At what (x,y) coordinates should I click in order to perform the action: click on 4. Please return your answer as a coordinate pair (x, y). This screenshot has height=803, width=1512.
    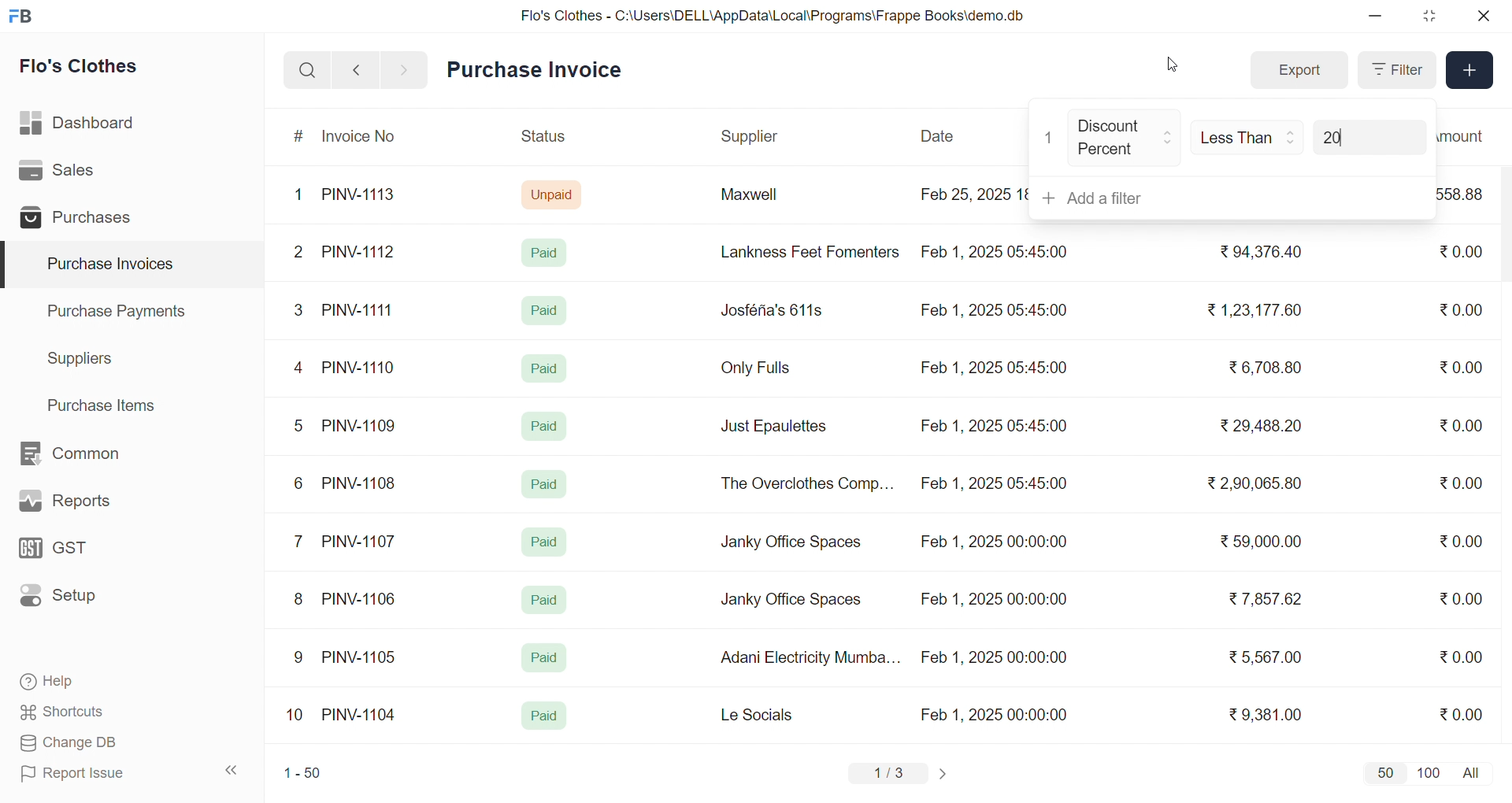
    Looking at the image, I should click on (302, 368).